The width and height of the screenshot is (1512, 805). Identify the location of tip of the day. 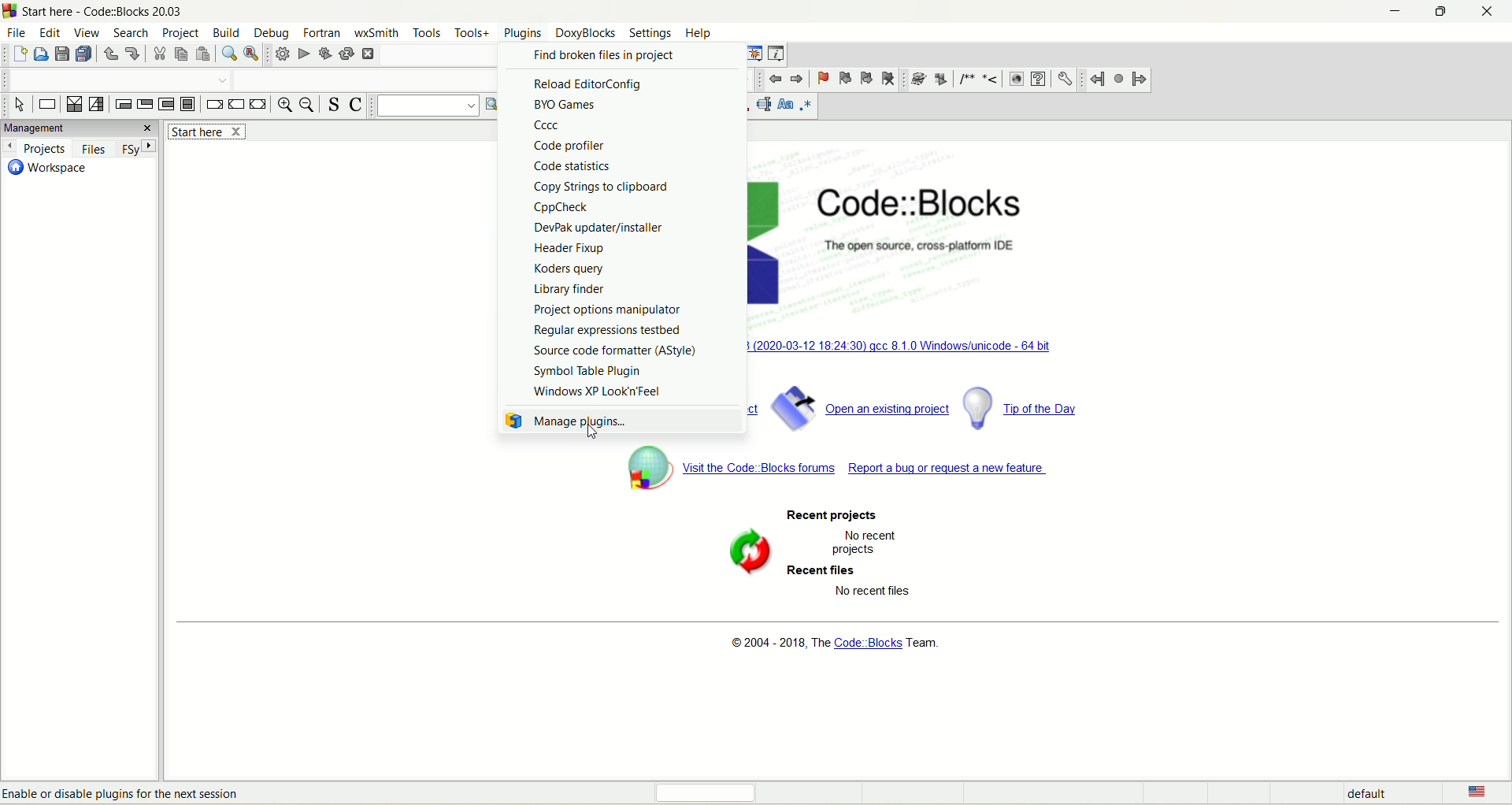
(1021, 406).